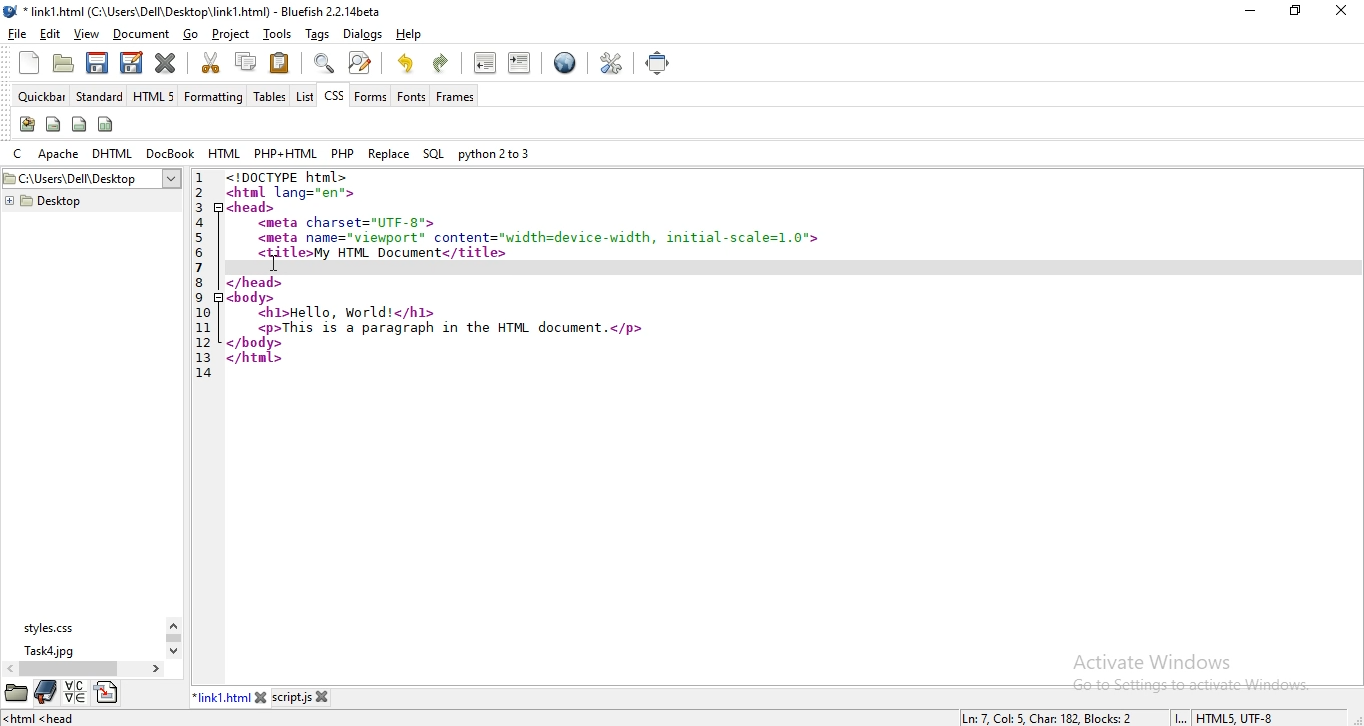  I want to click on close current file, so click(165, 65).